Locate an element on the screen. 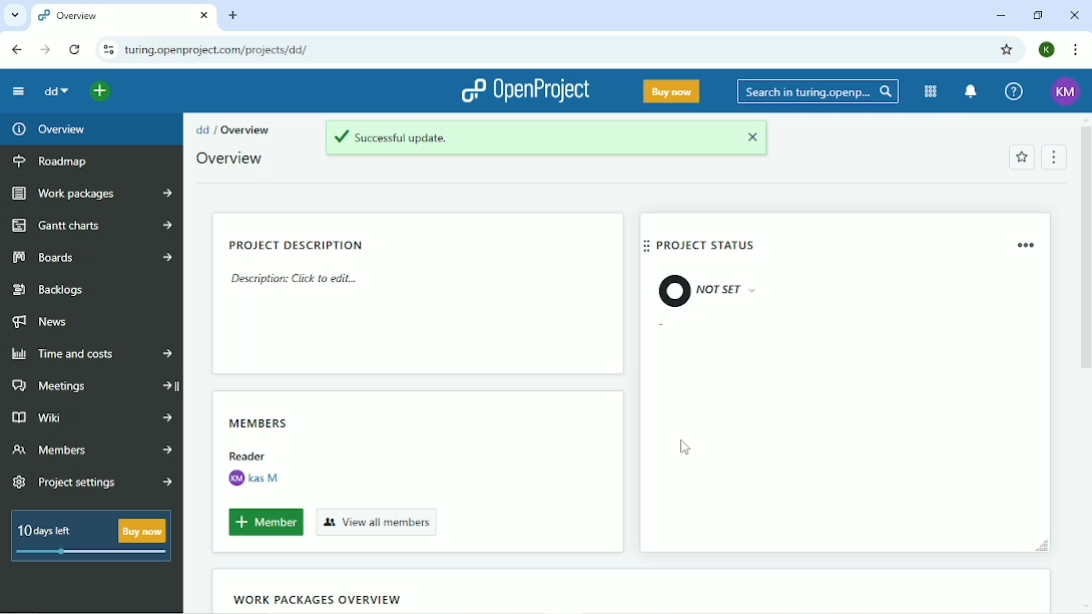  Site is located at coordinates (216, 50).